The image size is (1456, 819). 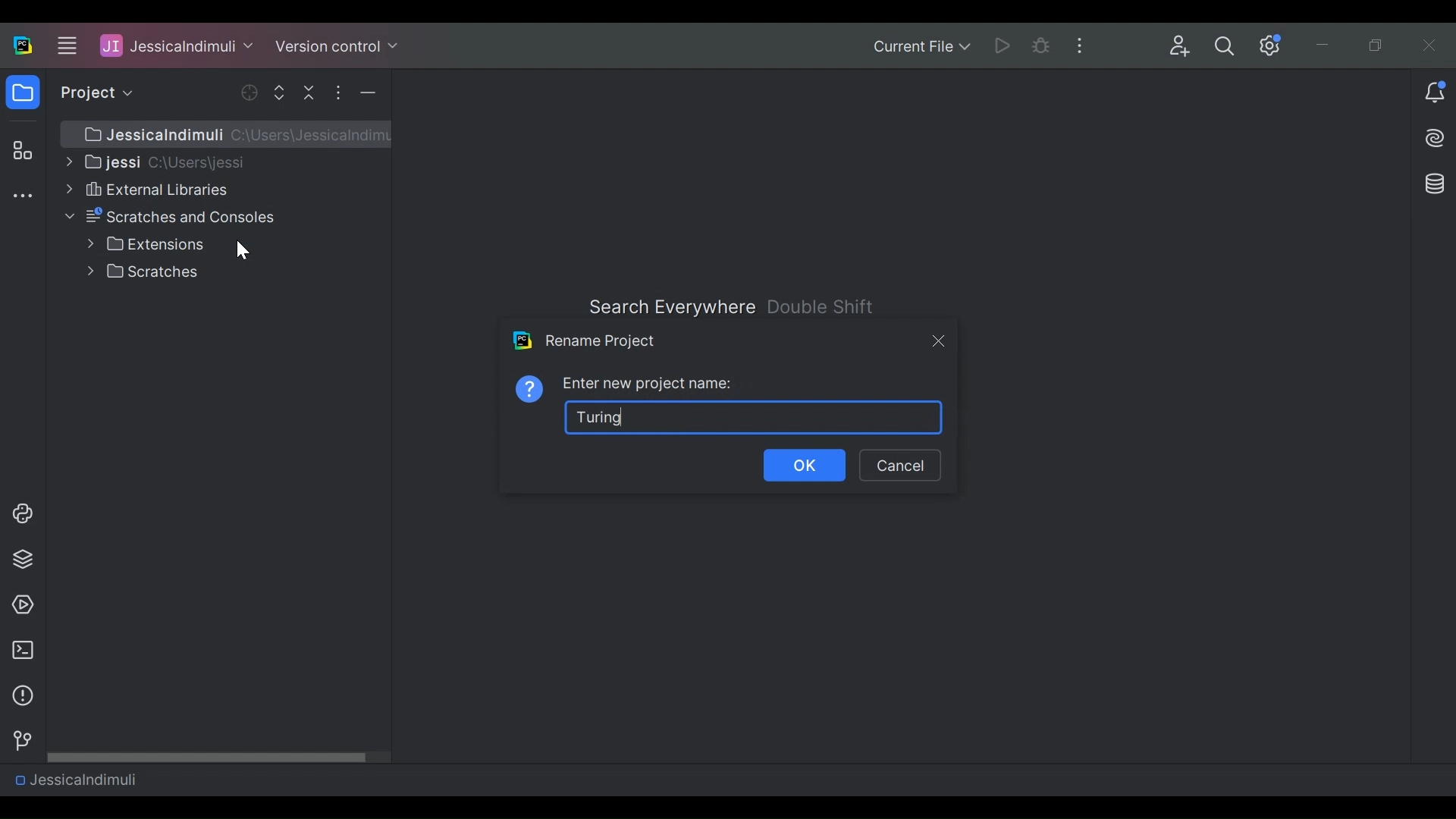 What do you see at coordinates (1042, 45) in the screenshot?
I see `Debug` at bounding box center [1042, 45].